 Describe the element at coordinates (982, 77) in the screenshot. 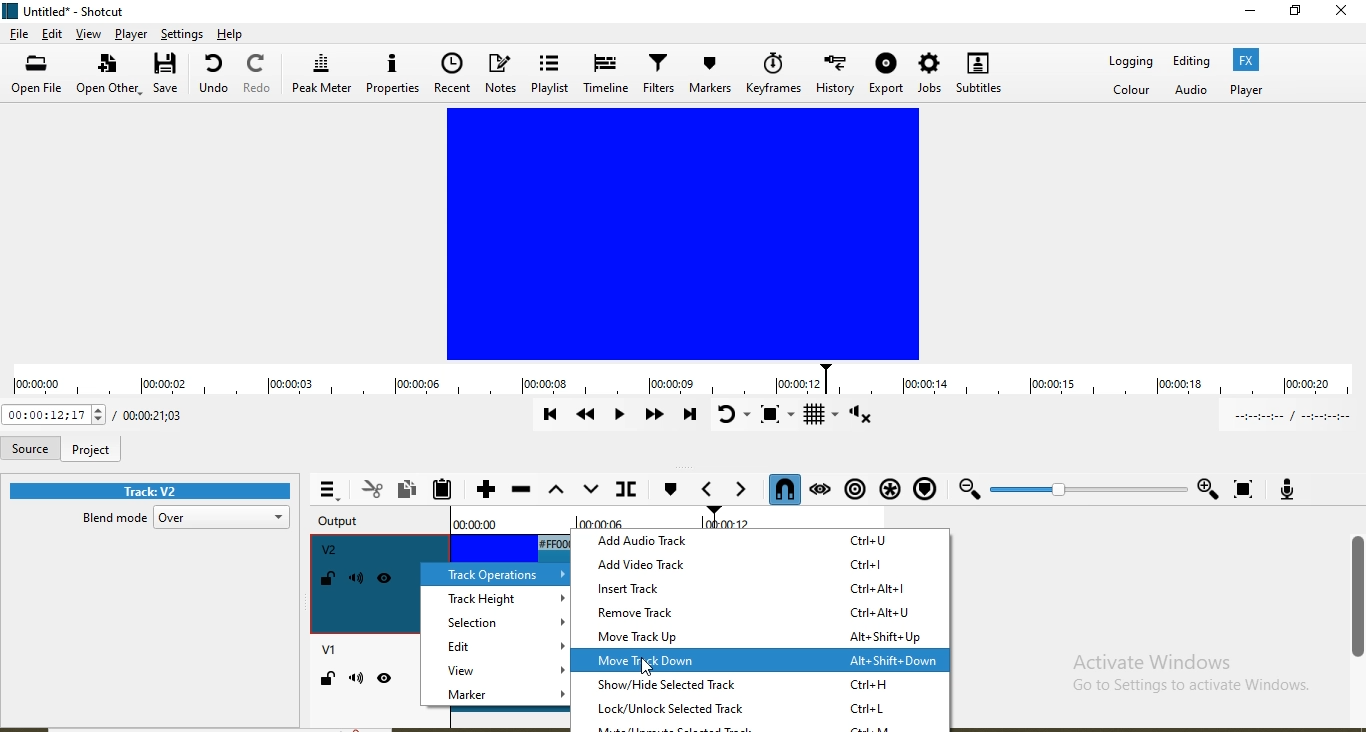

I see `Subtitles` at that location.